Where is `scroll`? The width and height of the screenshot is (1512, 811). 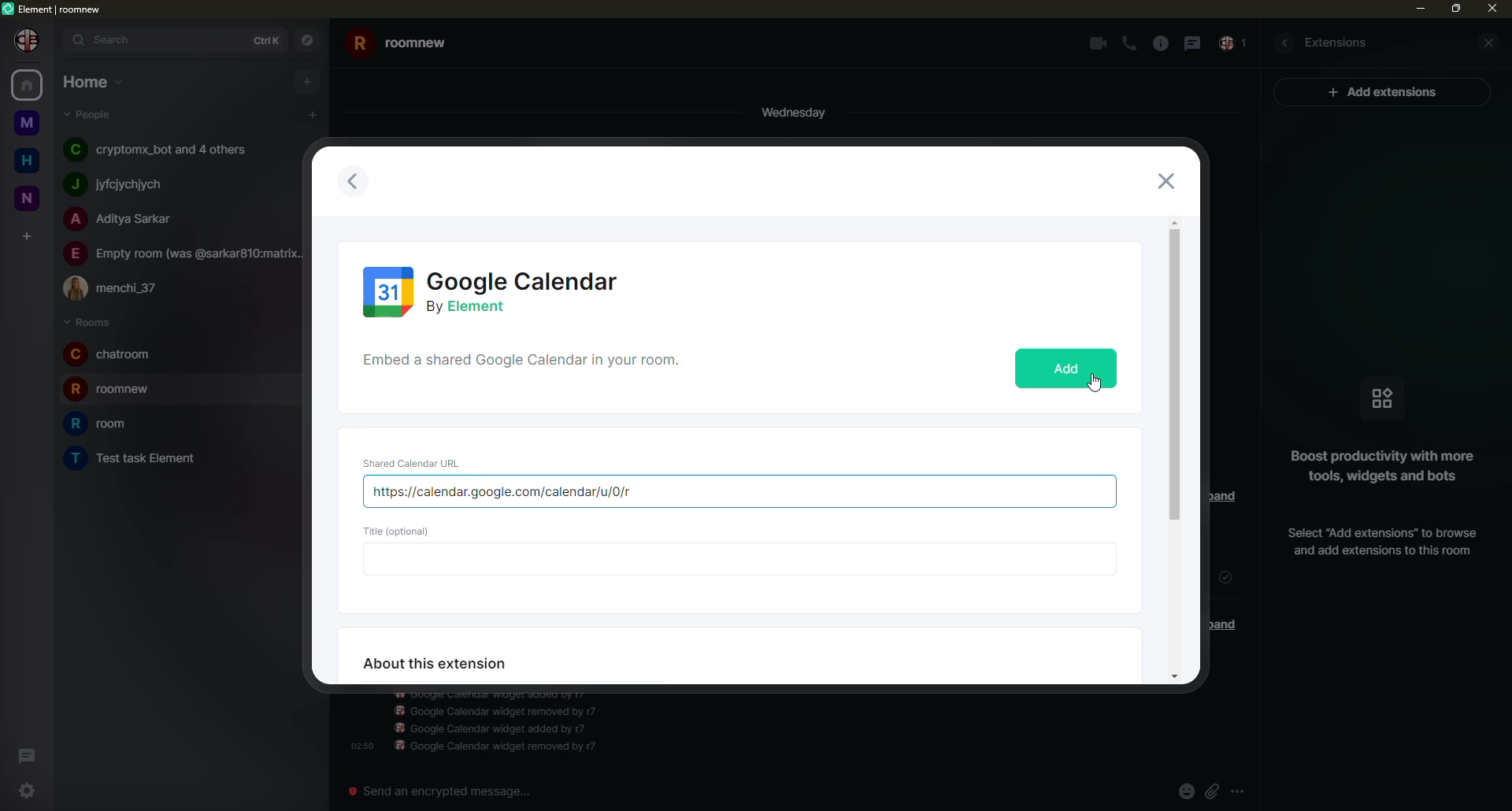 scroll is located at coordinates (1174, 375).